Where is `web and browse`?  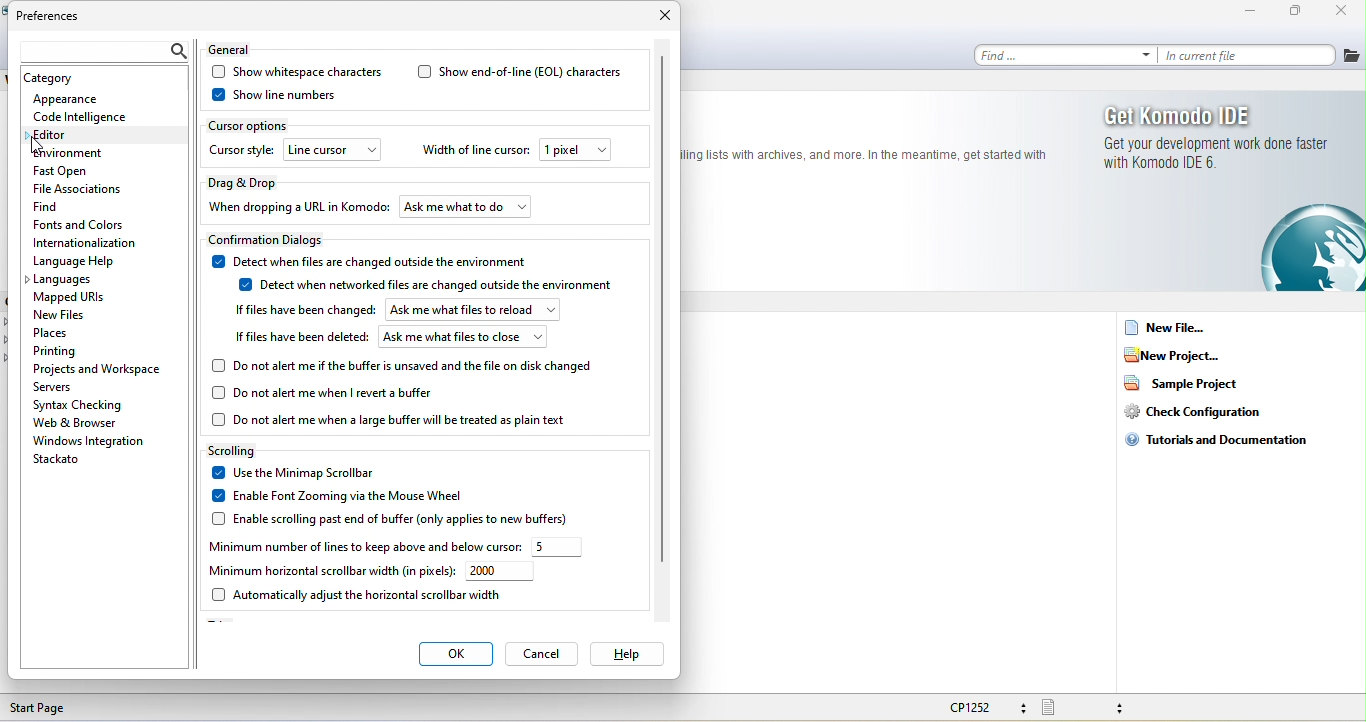
web and browse is located at coordinates (91, 422).